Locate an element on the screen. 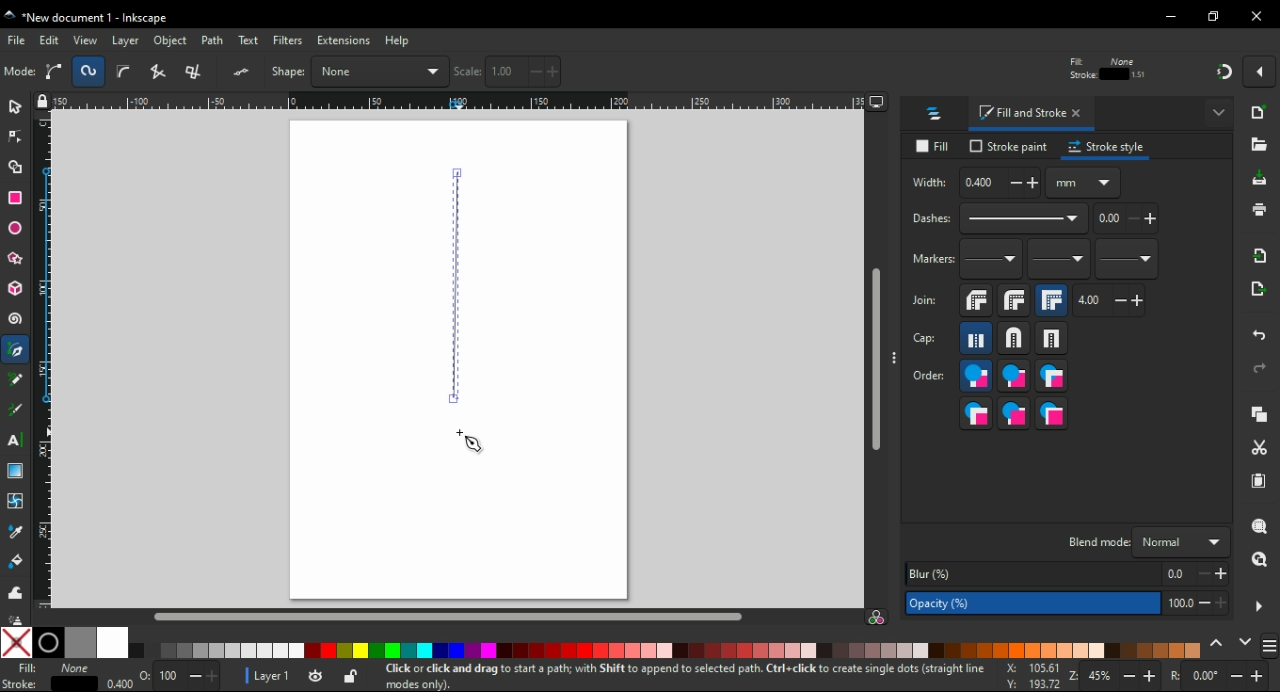  color schemes is located at coordinates (1268, 649).